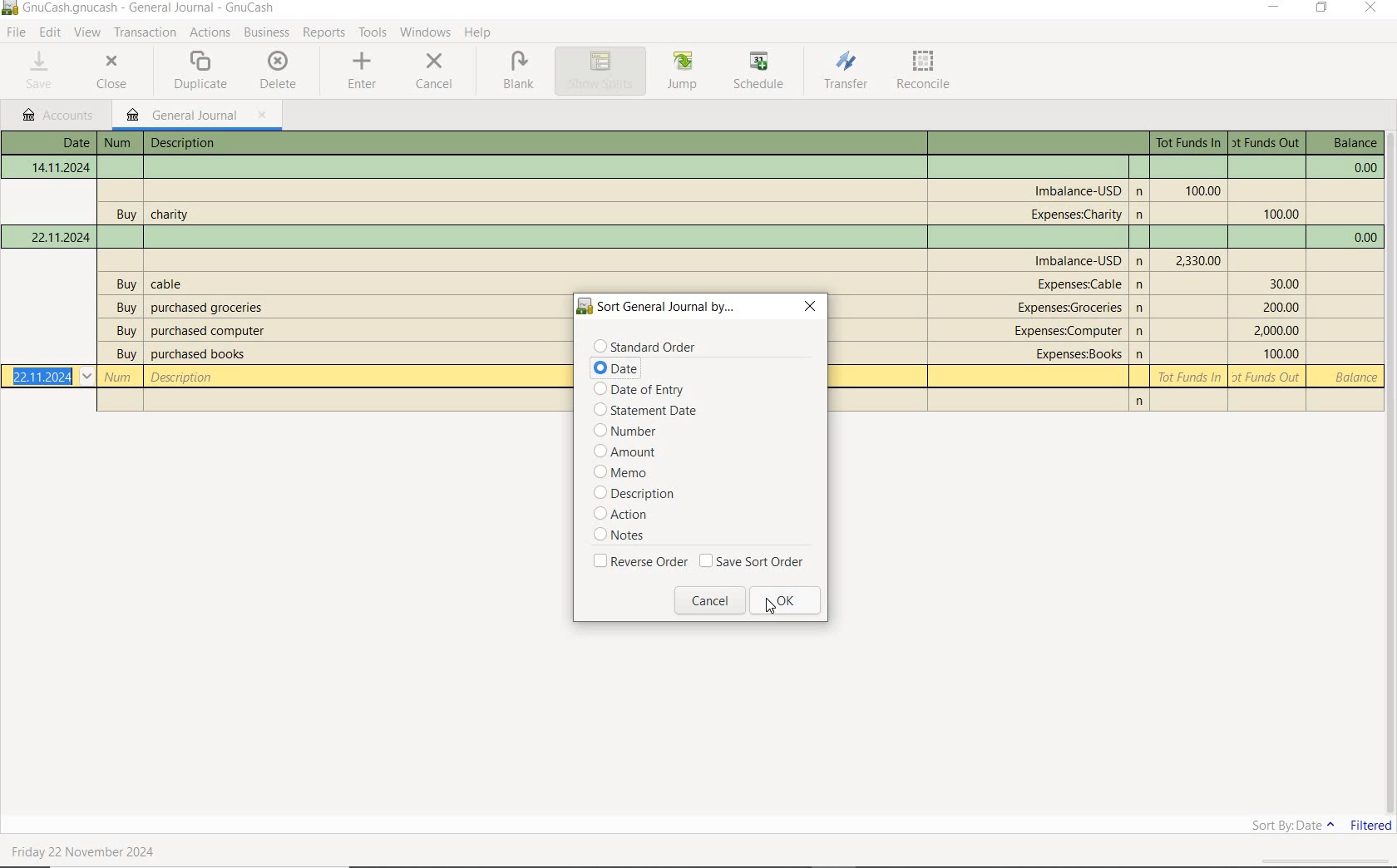 The width and height of the screenshot is (1397, 868). I want to click on , so click(1142, 263).